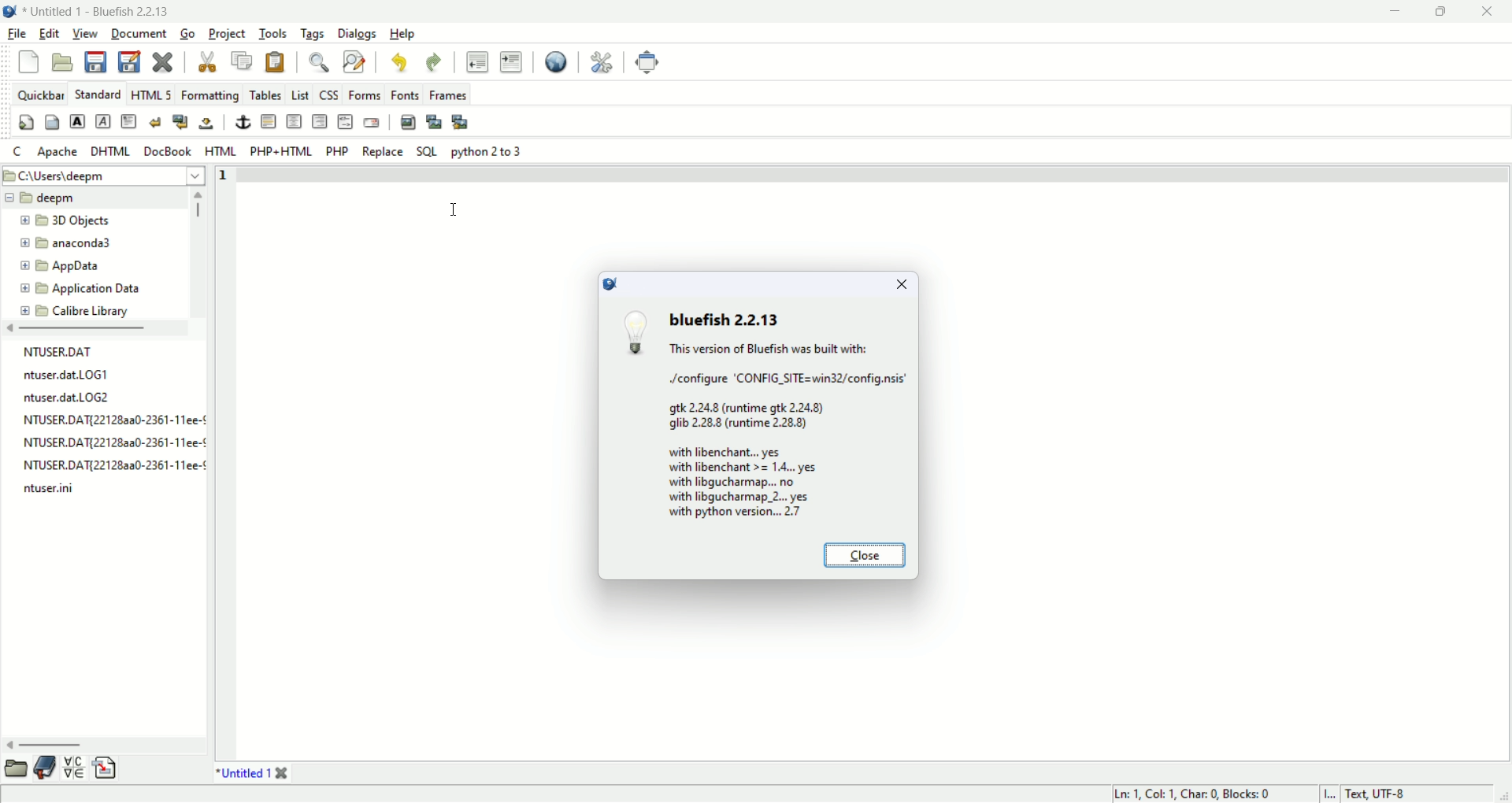 Image resolution: width=1512 pixels, height=803 pixels. Describe the element at coordinates (302, 96) in the screenshot. I see `list` at that location.